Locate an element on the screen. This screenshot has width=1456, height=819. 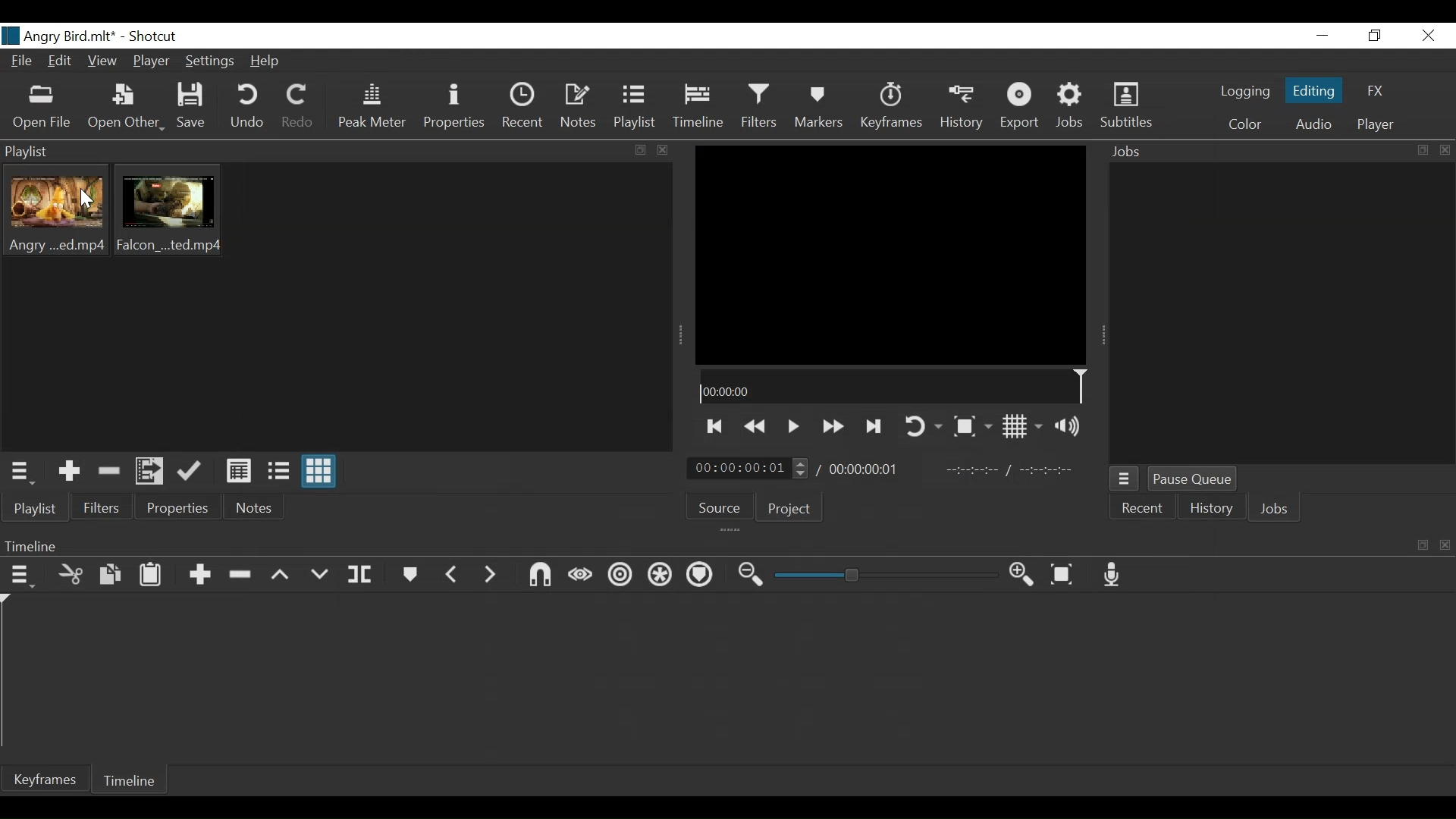
Open File is located at coordinates (42, 106).